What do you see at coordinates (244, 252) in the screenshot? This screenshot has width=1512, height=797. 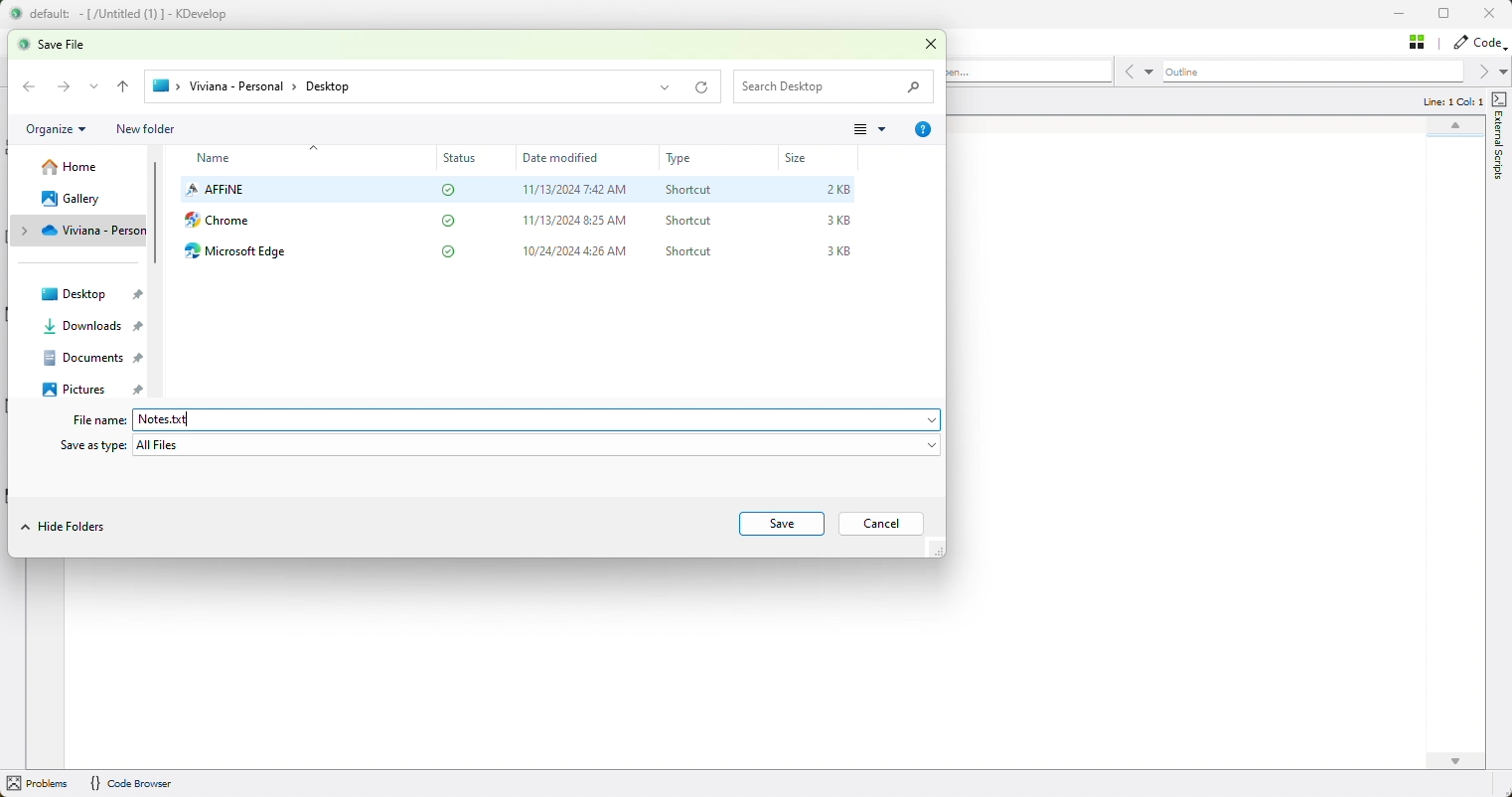 I see `microsoft edge` at bounding box center [244, 252].